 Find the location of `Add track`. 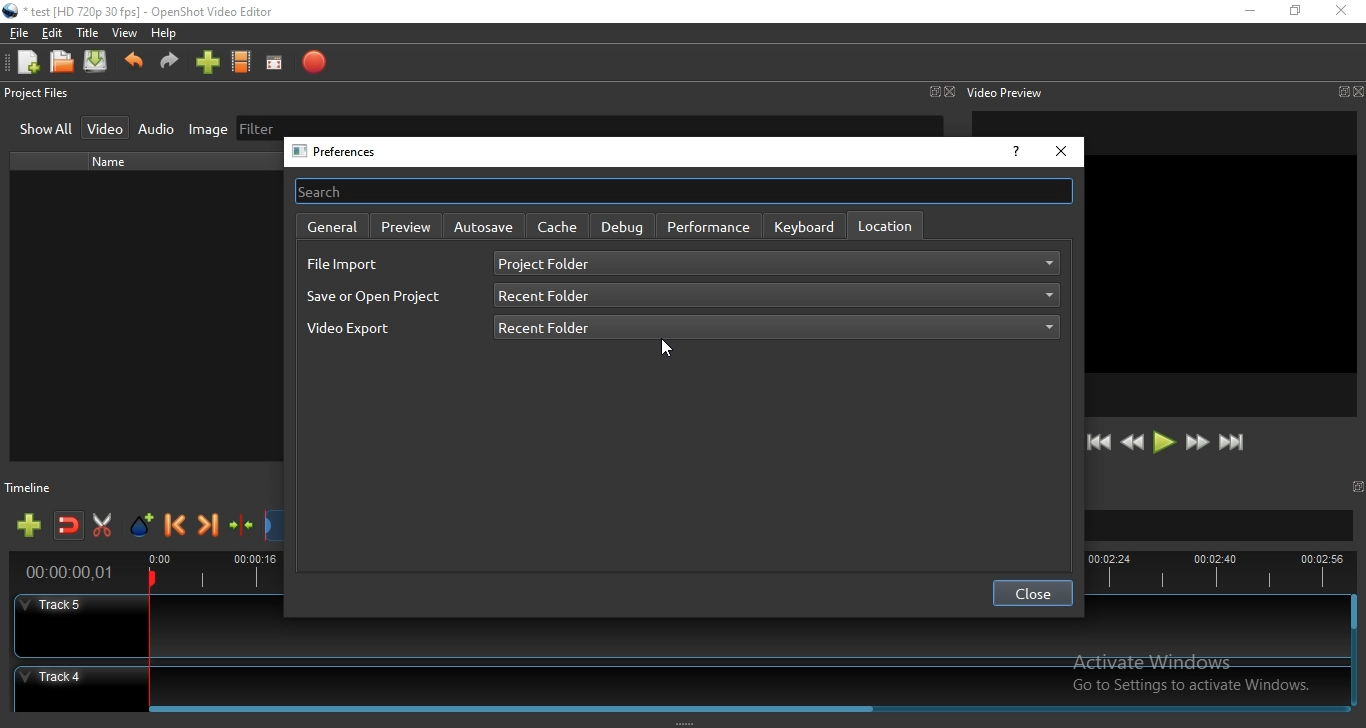

Add track is located at coordinates (31, 526).